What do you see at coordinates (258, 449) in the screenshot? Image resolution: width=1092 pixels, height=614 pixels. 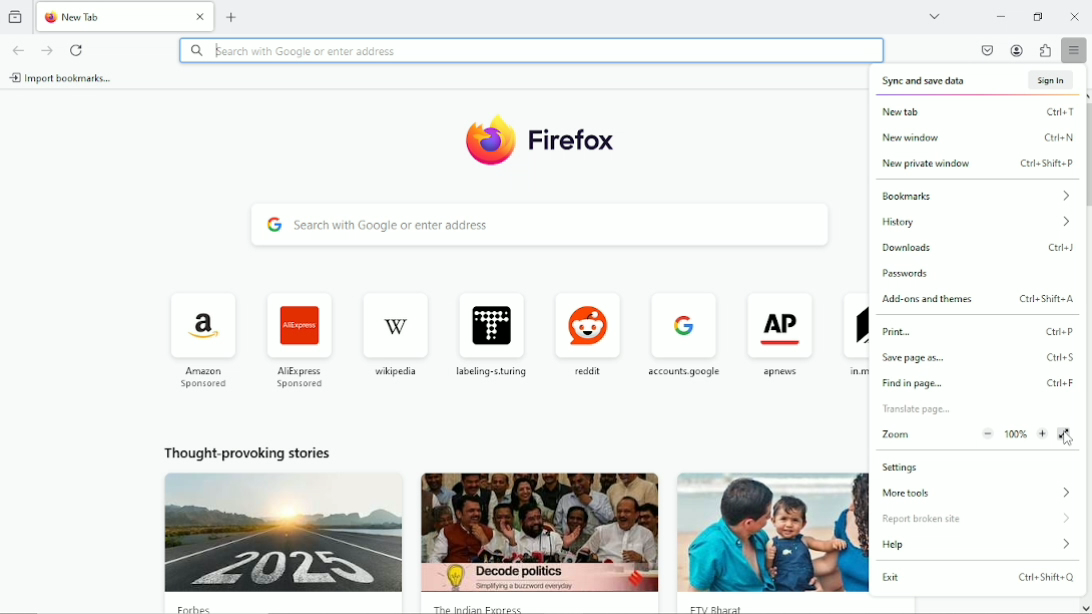 I see `thought provoking stories` at bounding box center [258, 449].